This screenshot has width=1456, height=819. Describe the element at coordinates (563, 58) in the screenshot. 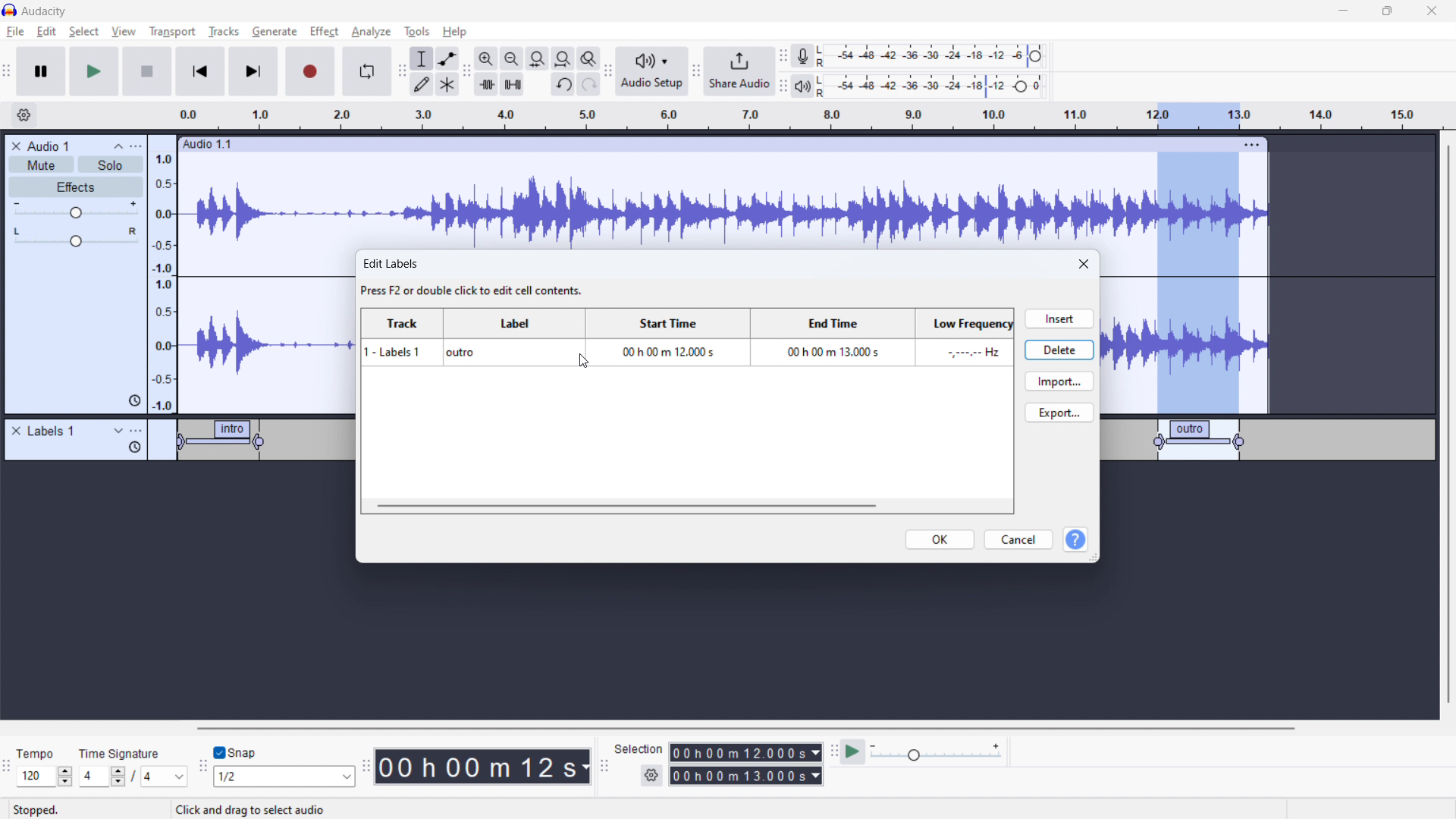

I see `set project to width` at that location.